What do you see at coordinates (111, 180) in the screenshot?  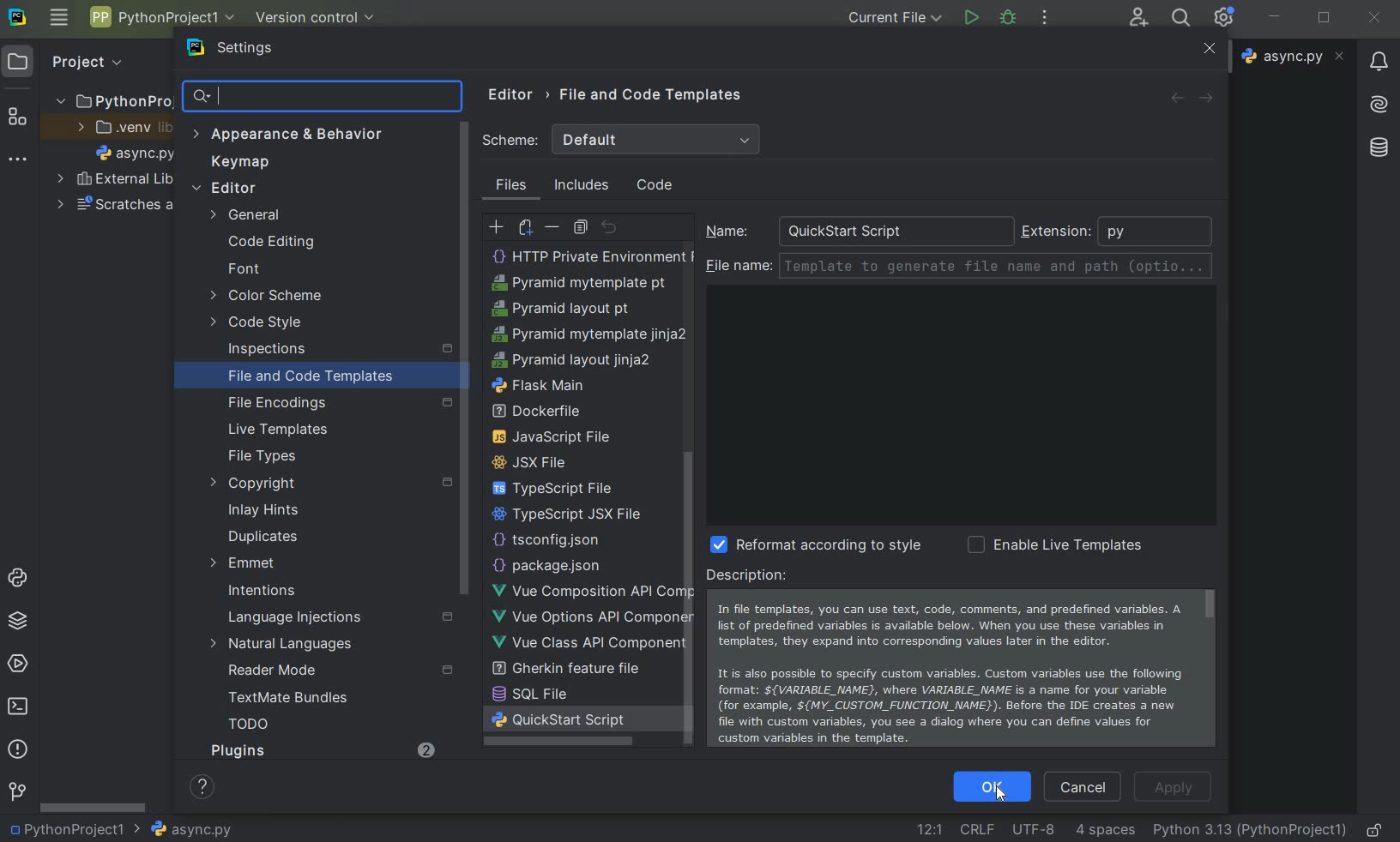 I see `external libraries` at bounding box center [111, 180].